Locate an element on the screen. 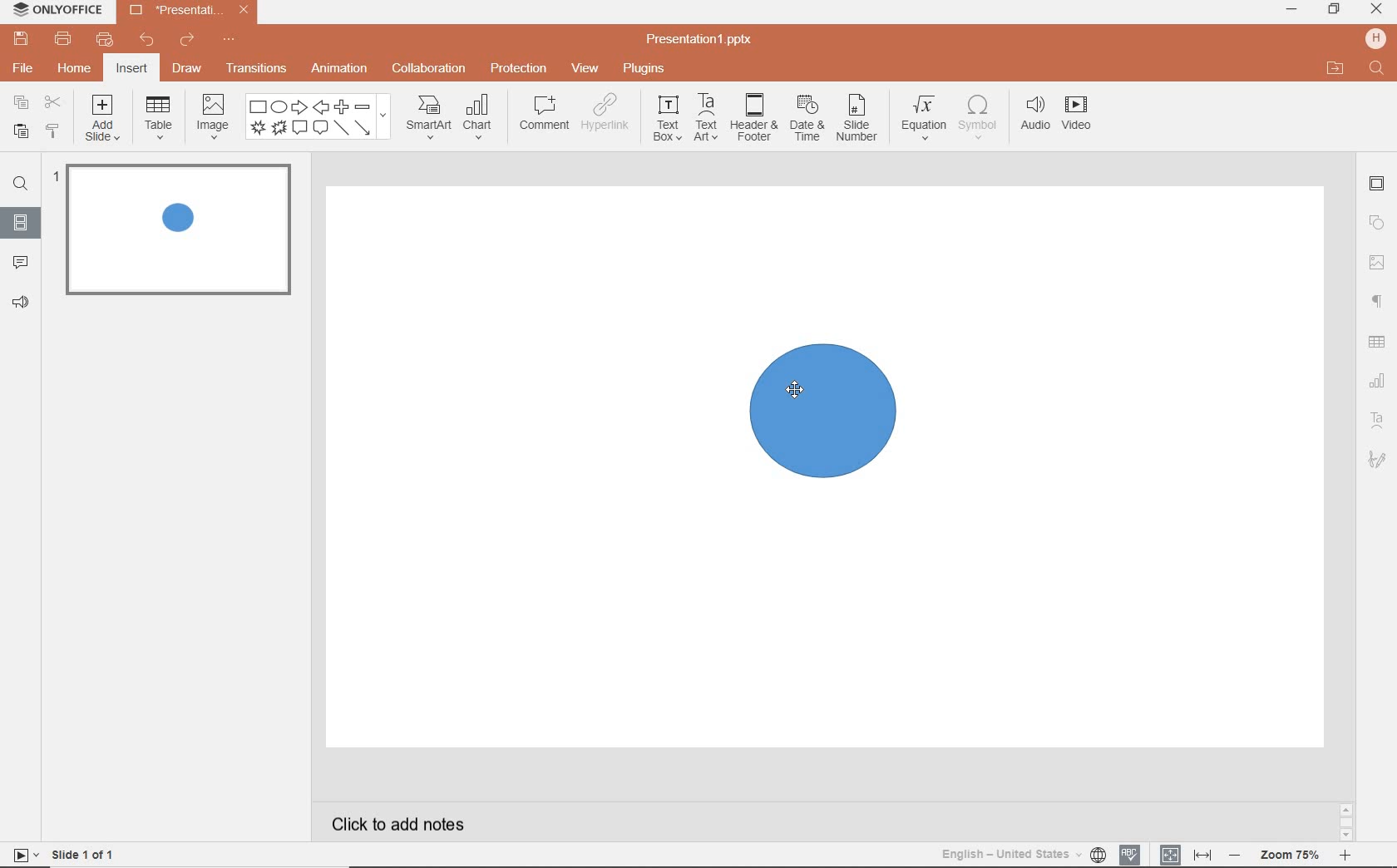 The image size is (1397, 868). shapes is located at coordinates (1376, 222).